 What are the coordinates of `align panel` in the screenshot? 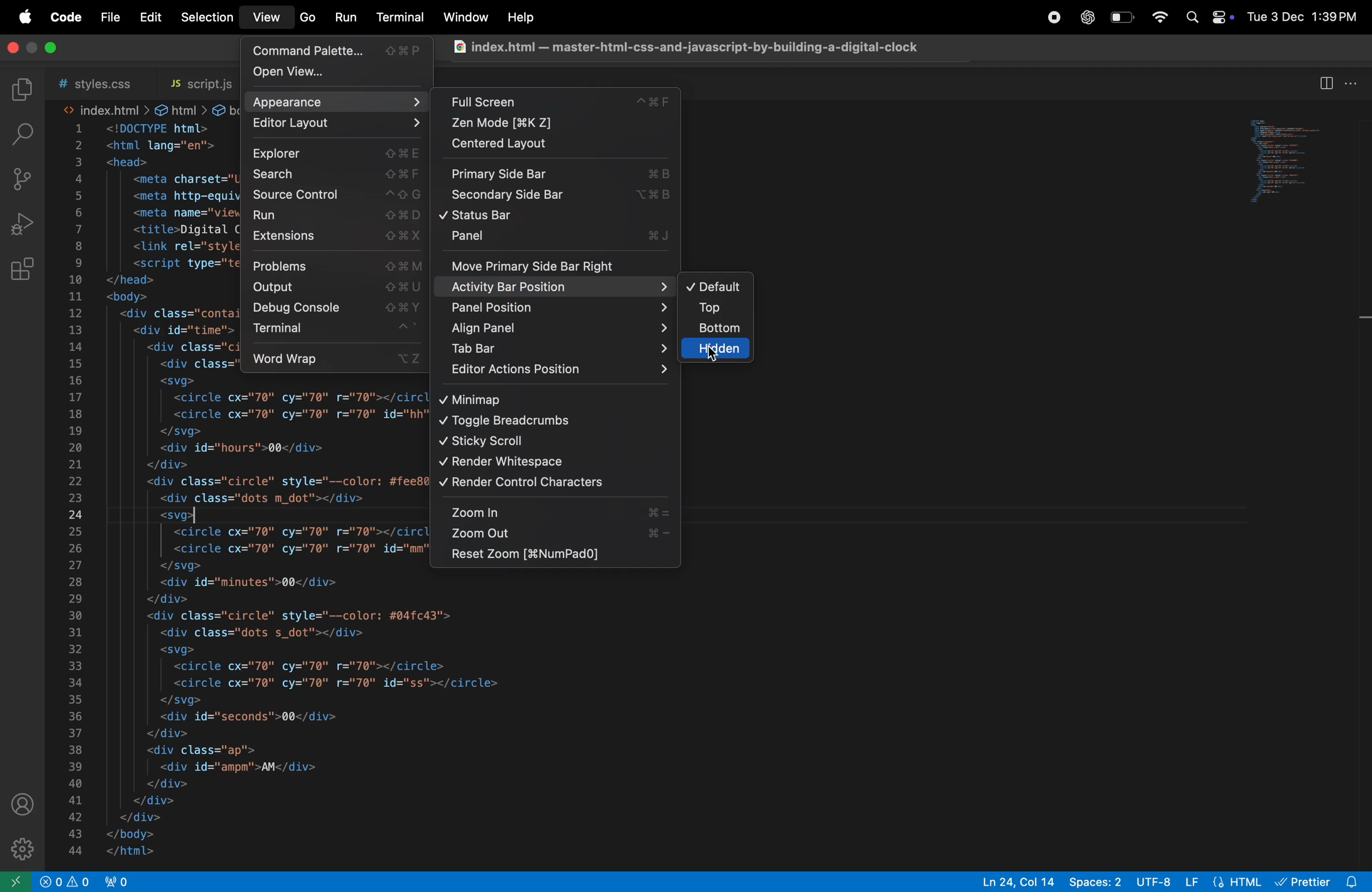 It's located at (559, 328).